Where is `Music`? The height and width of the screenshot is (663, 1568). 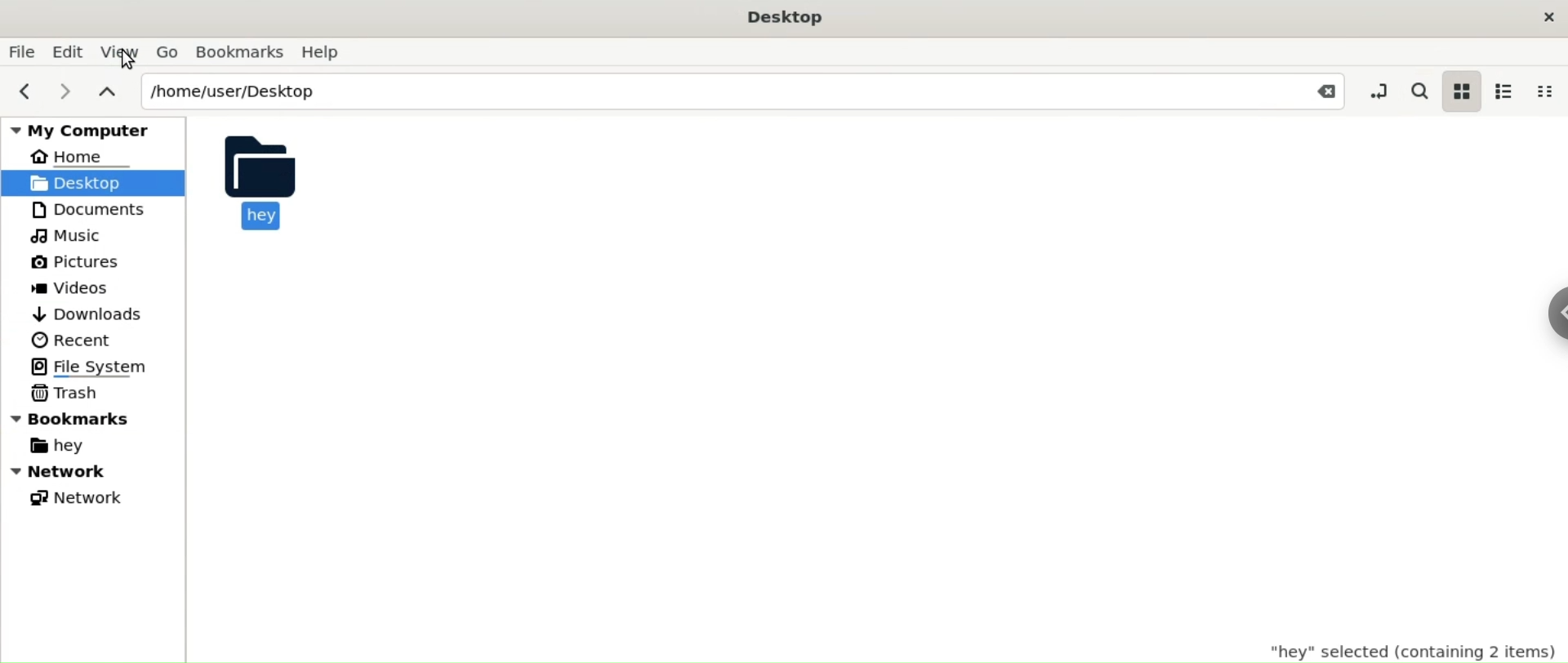 Music is located at coordinates (70, 236).